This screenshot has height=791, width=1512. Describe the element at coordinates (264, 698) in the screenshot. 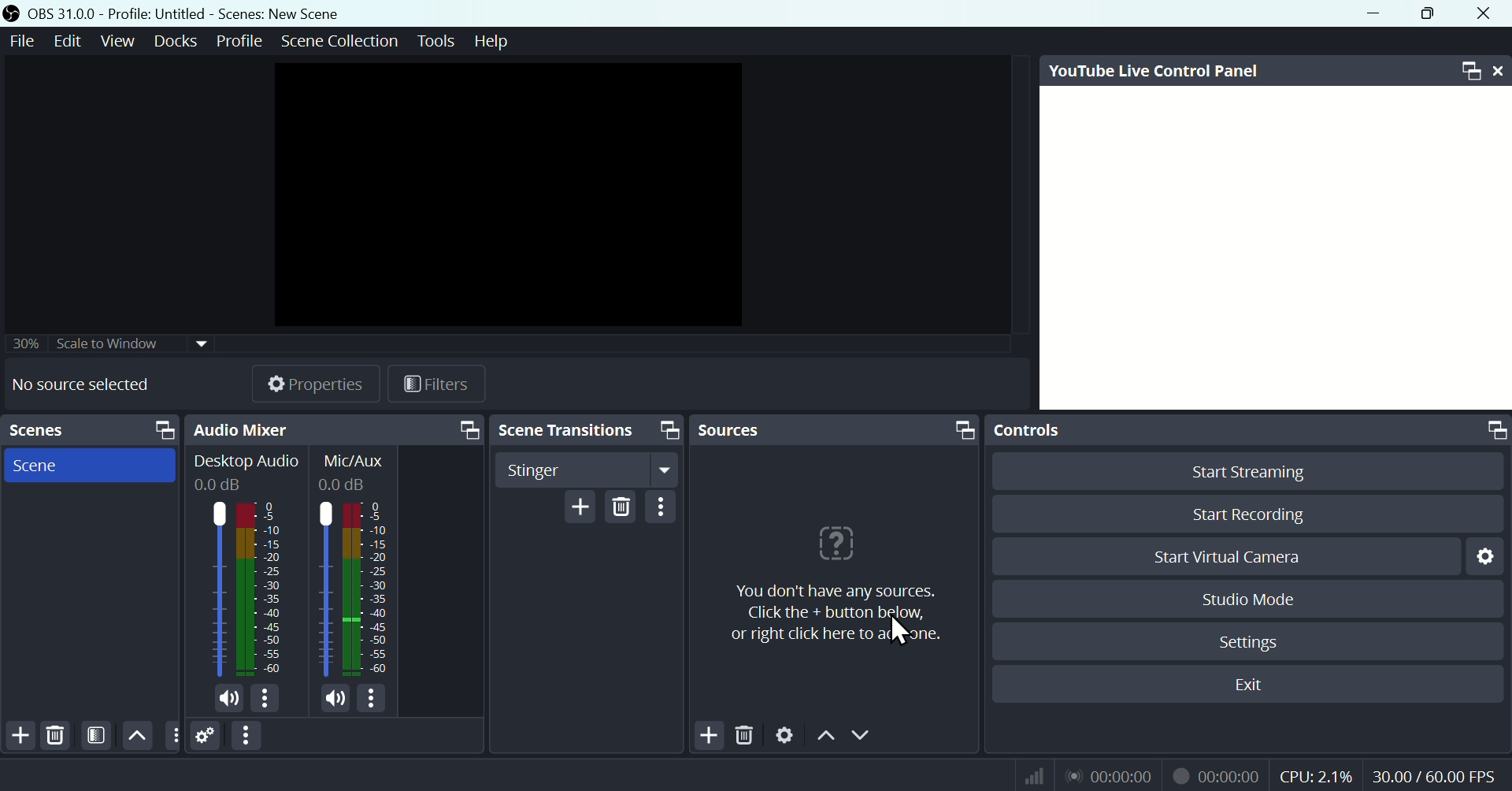

I see `options` at that location.